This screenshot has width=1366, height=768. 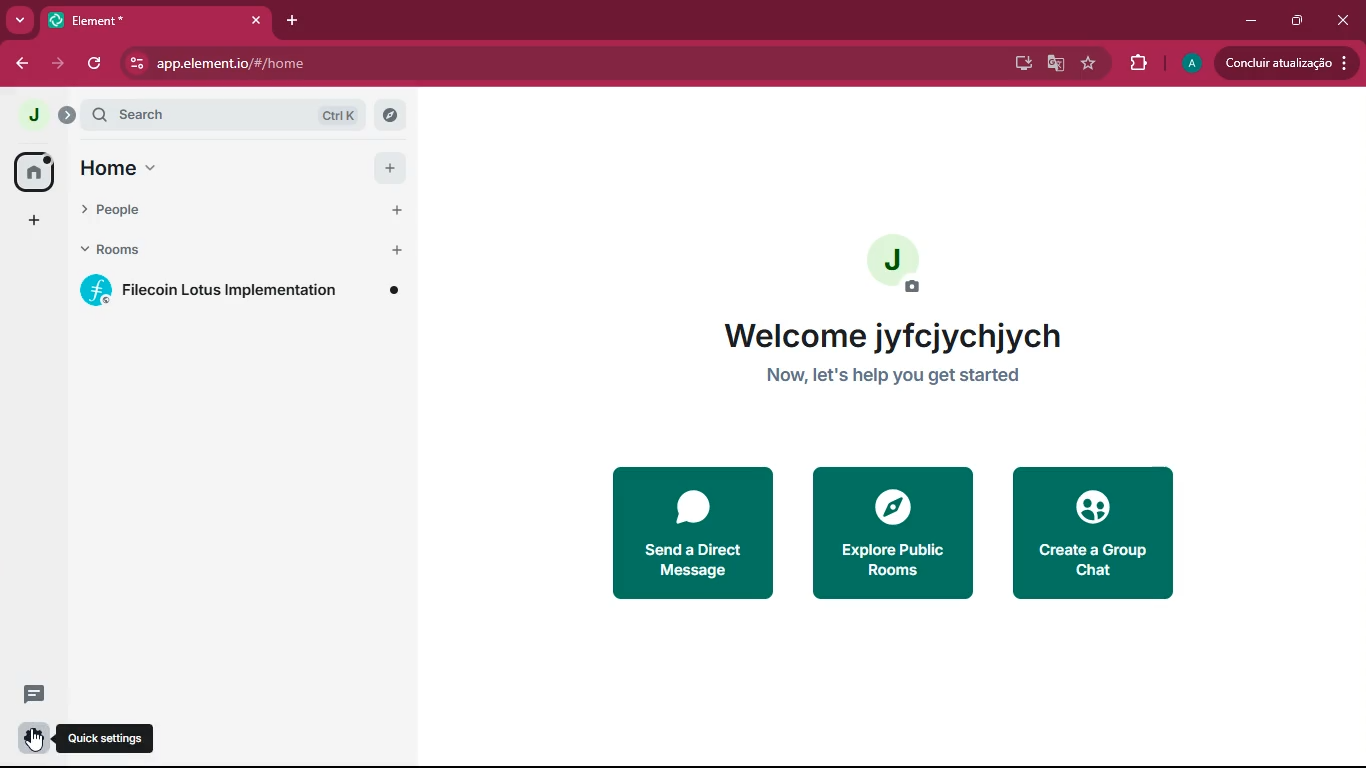 What do you see at coordinates (1093, 532) in the screenshot?
I see `create a group chat` at bounding box center [1093, 532].